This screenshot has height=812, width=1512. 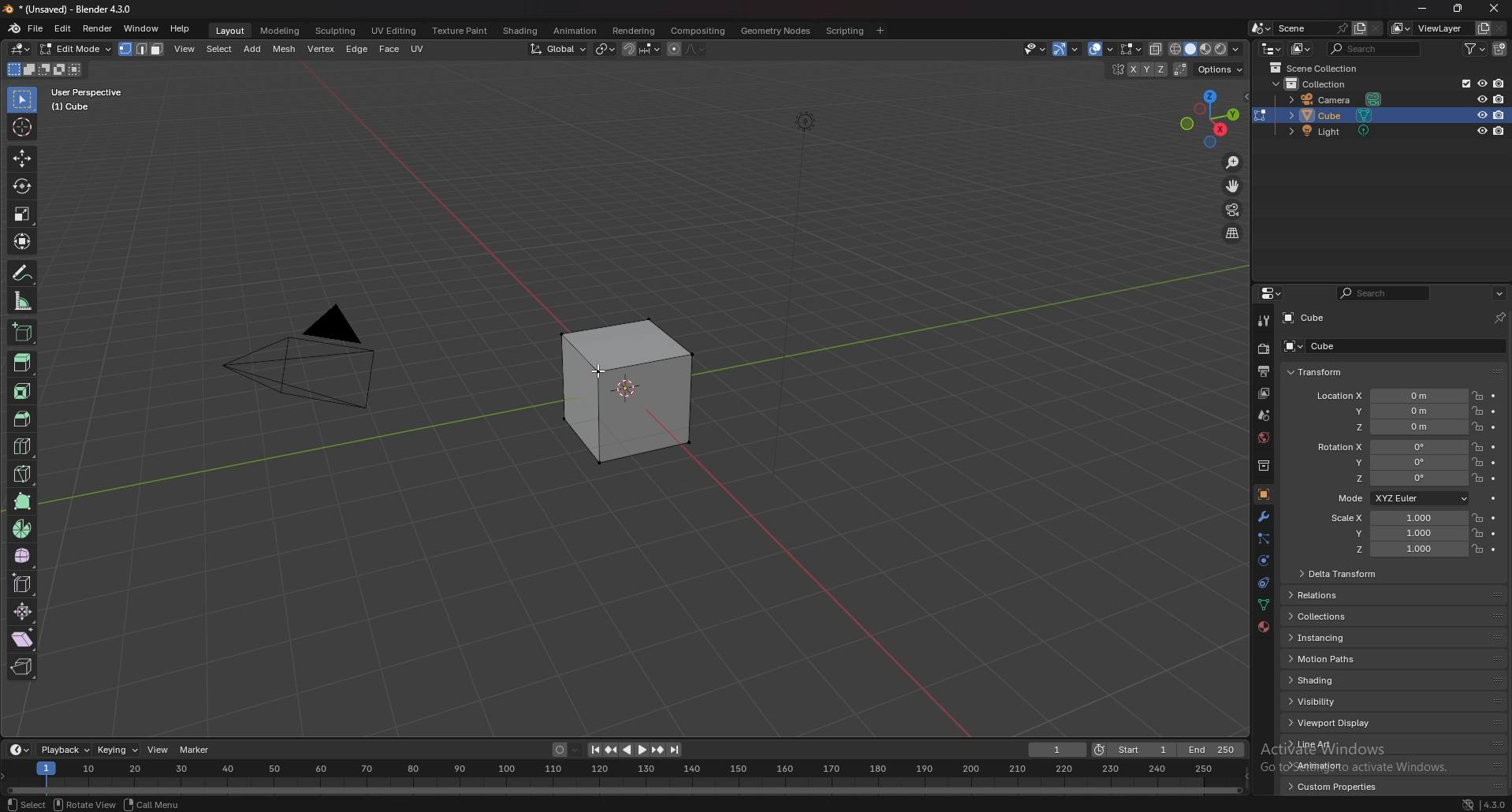 What do you see at coordinates (1349, 702) in the screenshot?
I see `visibility` at bounding box center [1349, 702].